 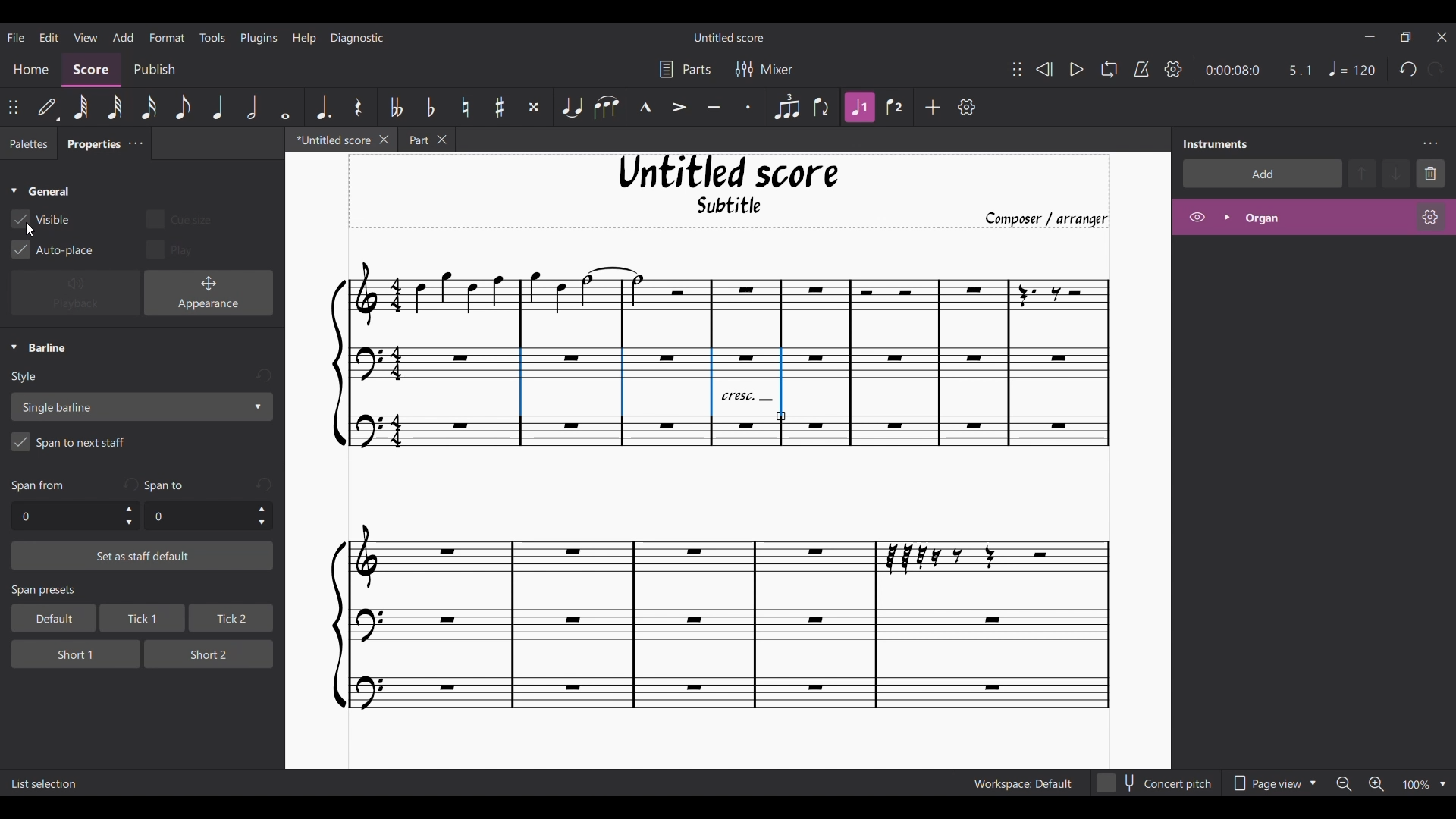 I want to click on Tempo, so click(x=1352, y=69).